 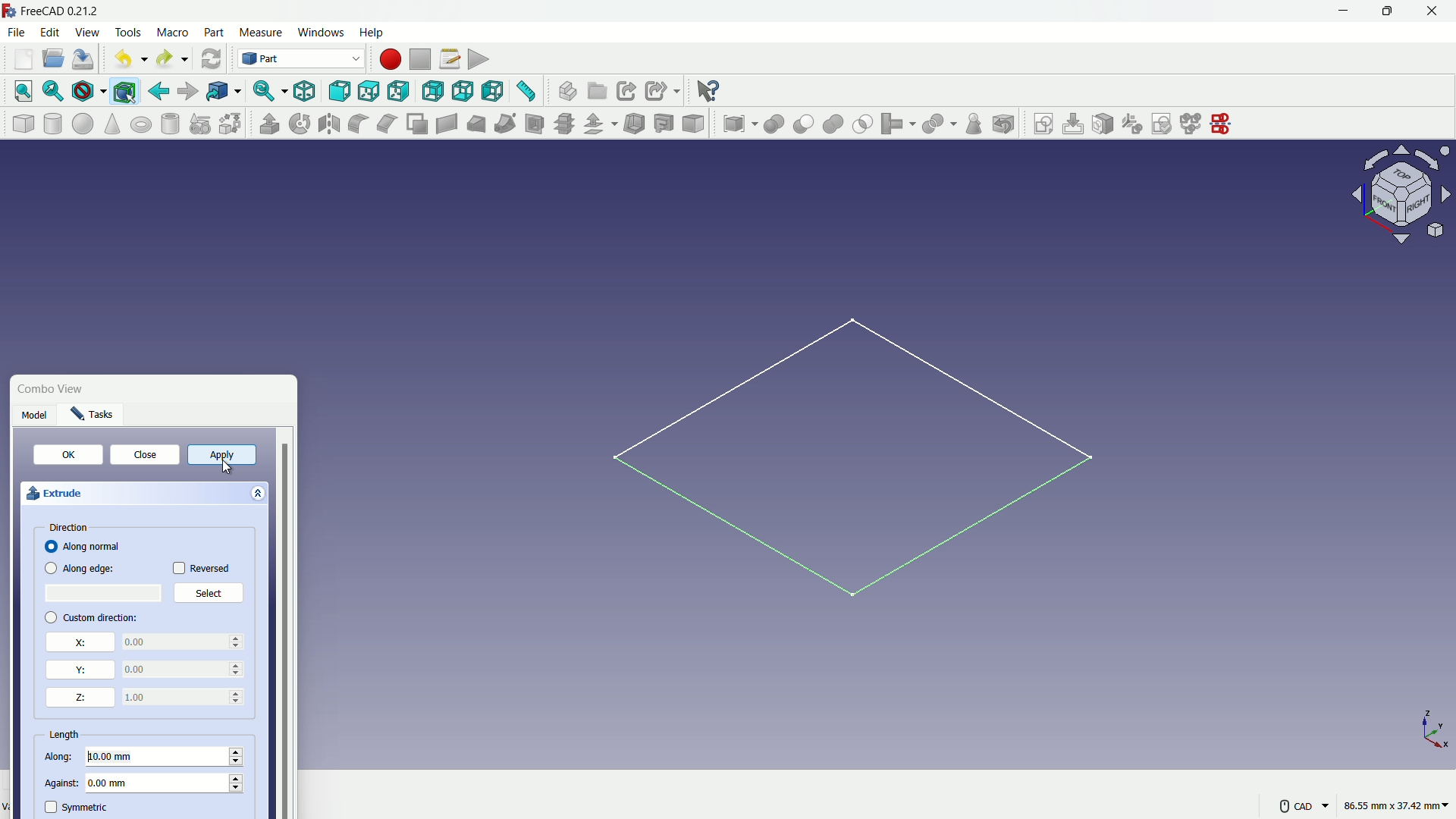 What do you see at coordinates (209, 593) in the screenshot?
I see `Select` at bounding box center [209, 593].